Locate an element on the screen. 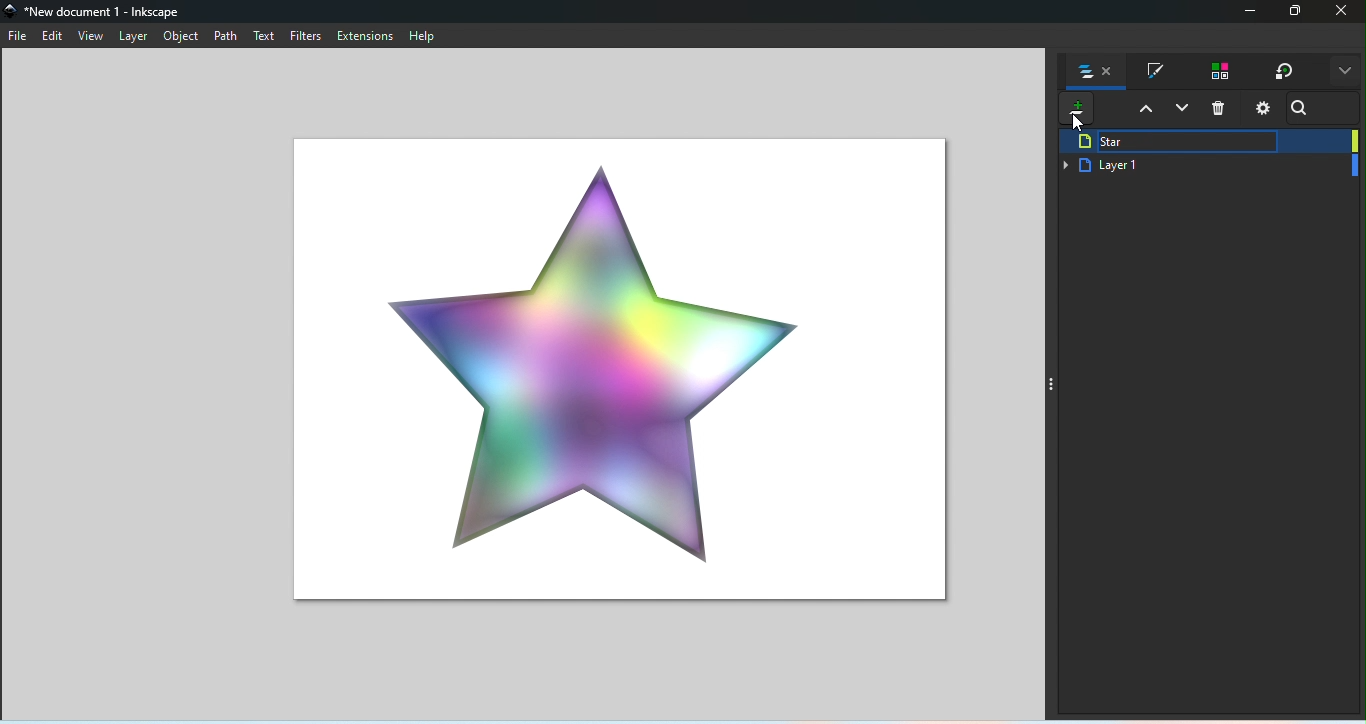 This screenshot has height=724, width=1366. Minimize is located at coordinates (1247, 13).